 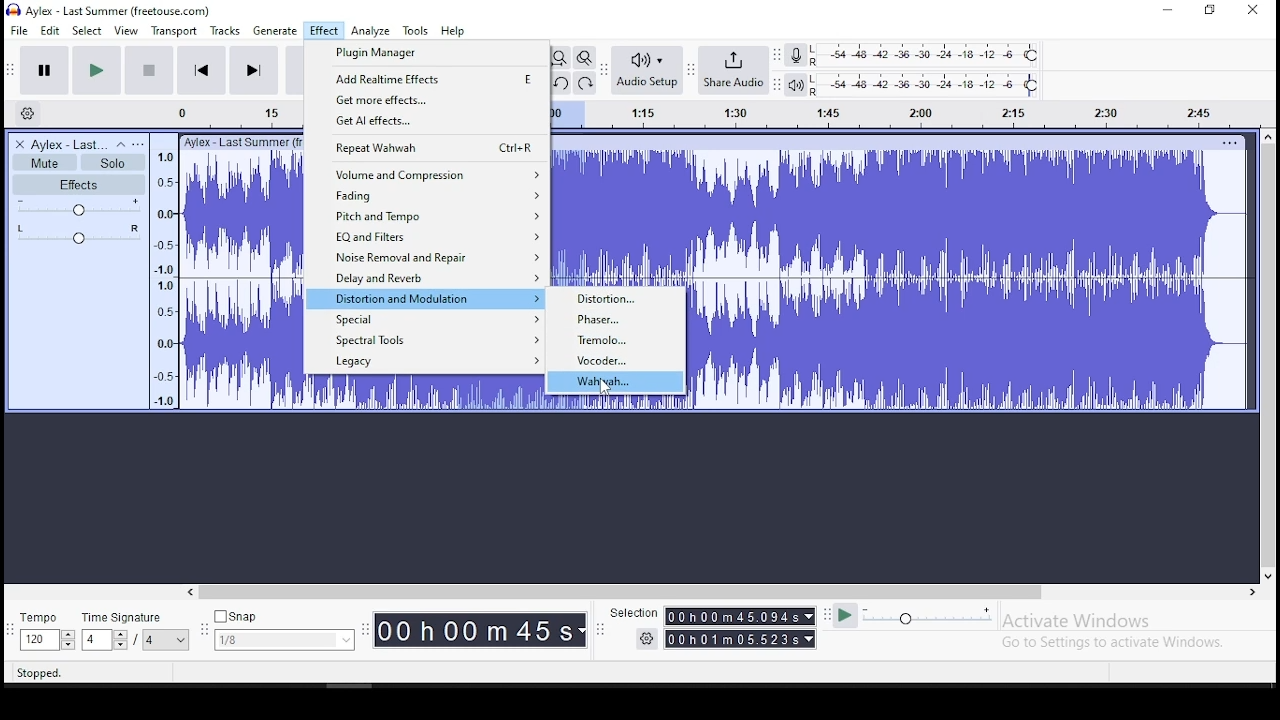 I want to click on distortion and modulation, so click(x=425, y=299).